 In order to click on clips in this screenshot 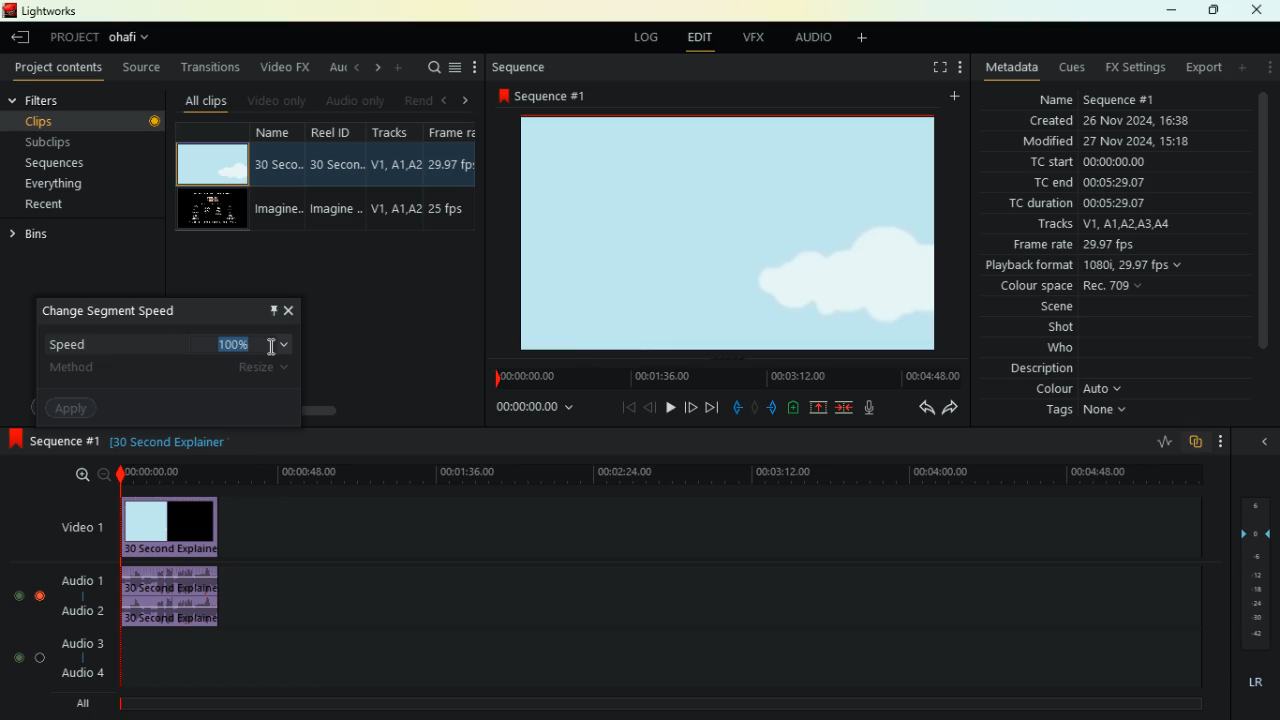, I will do `click(63, 121)`.